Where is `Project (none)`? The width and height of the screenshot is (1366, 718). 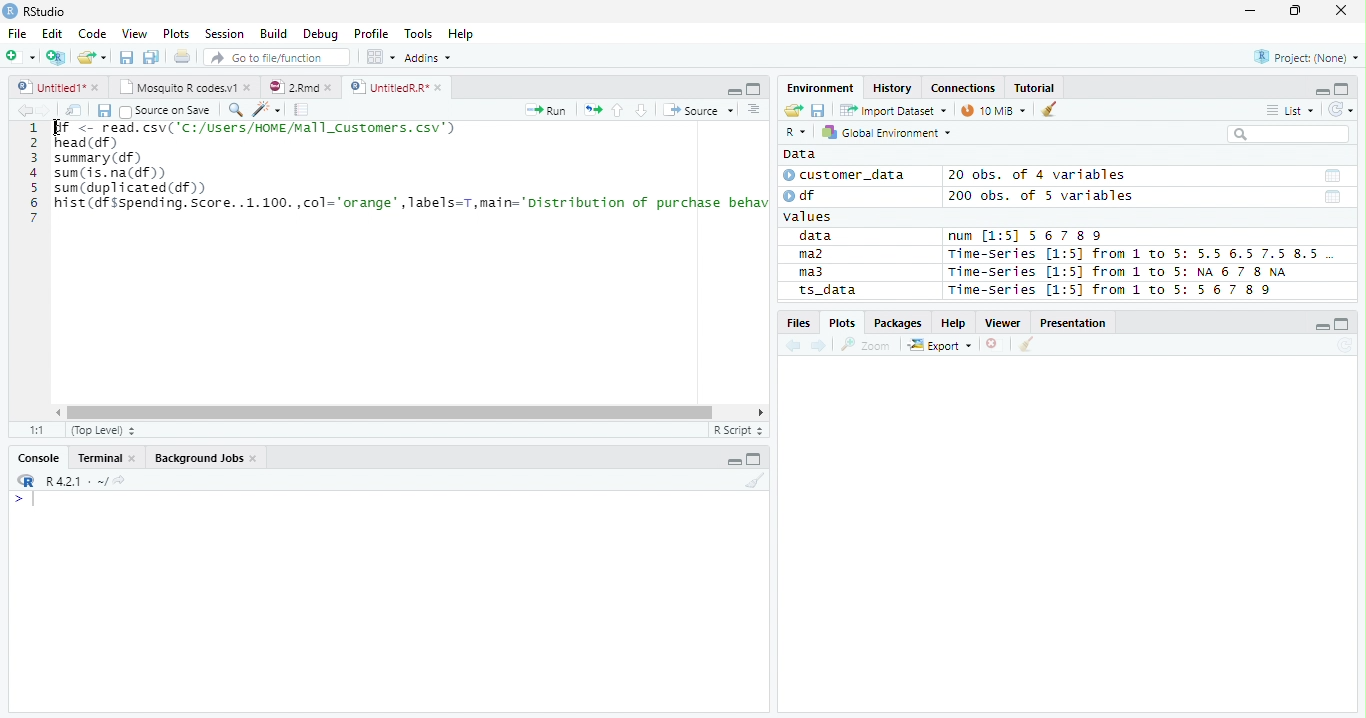
Project (none) is located at coordinates (1309, 55).